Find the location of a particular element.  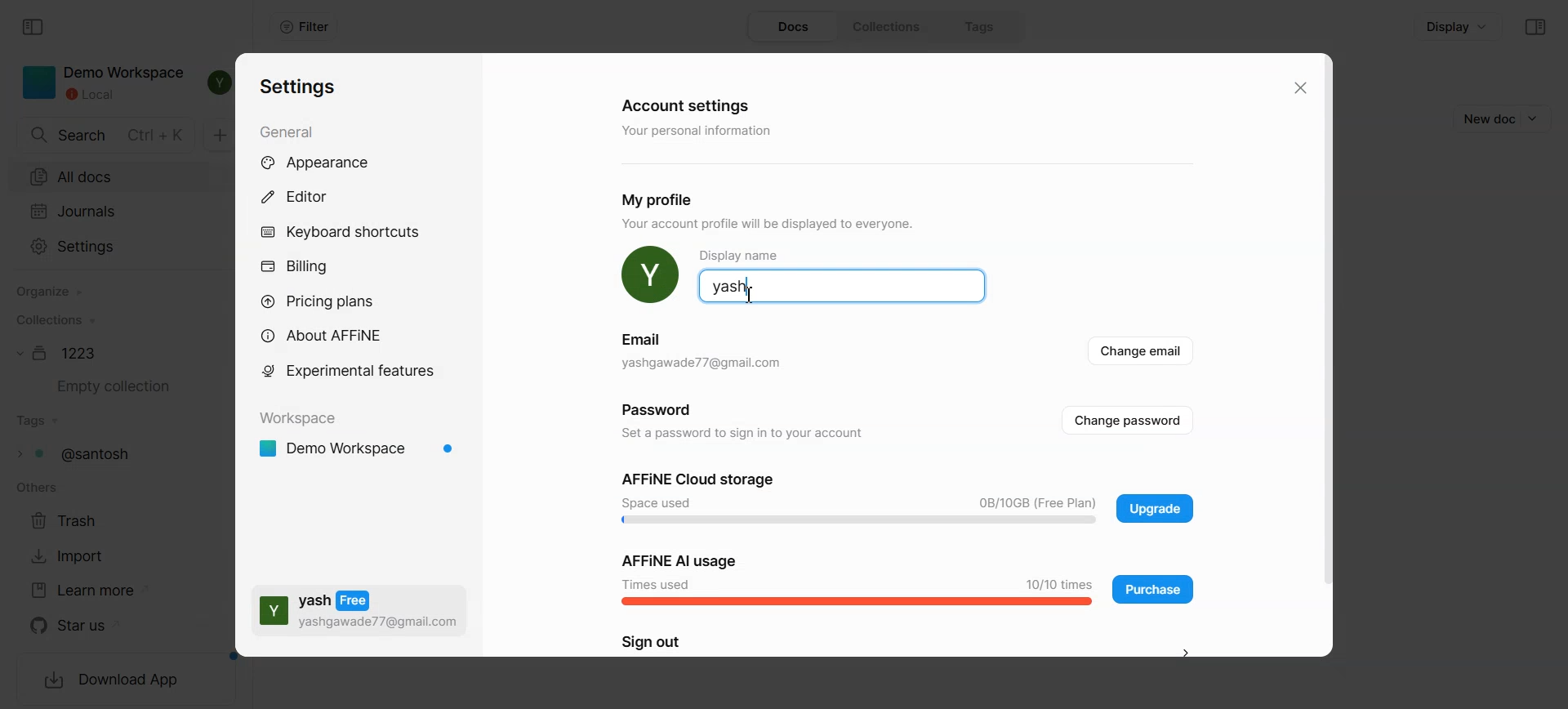

Settings is located at coordinates (108, 247).